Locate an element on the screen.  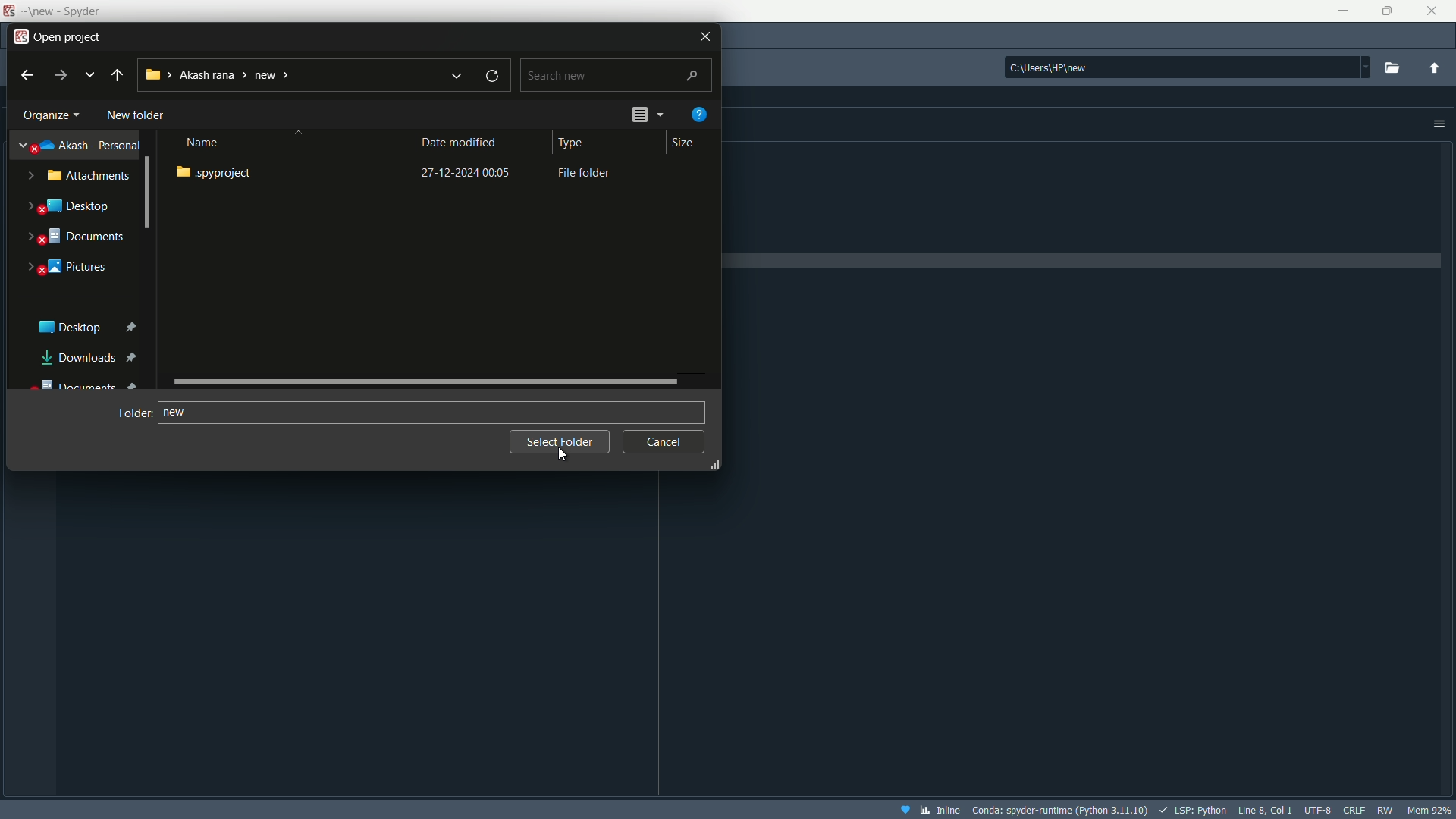
select folder is located at coordinates (559, 442).